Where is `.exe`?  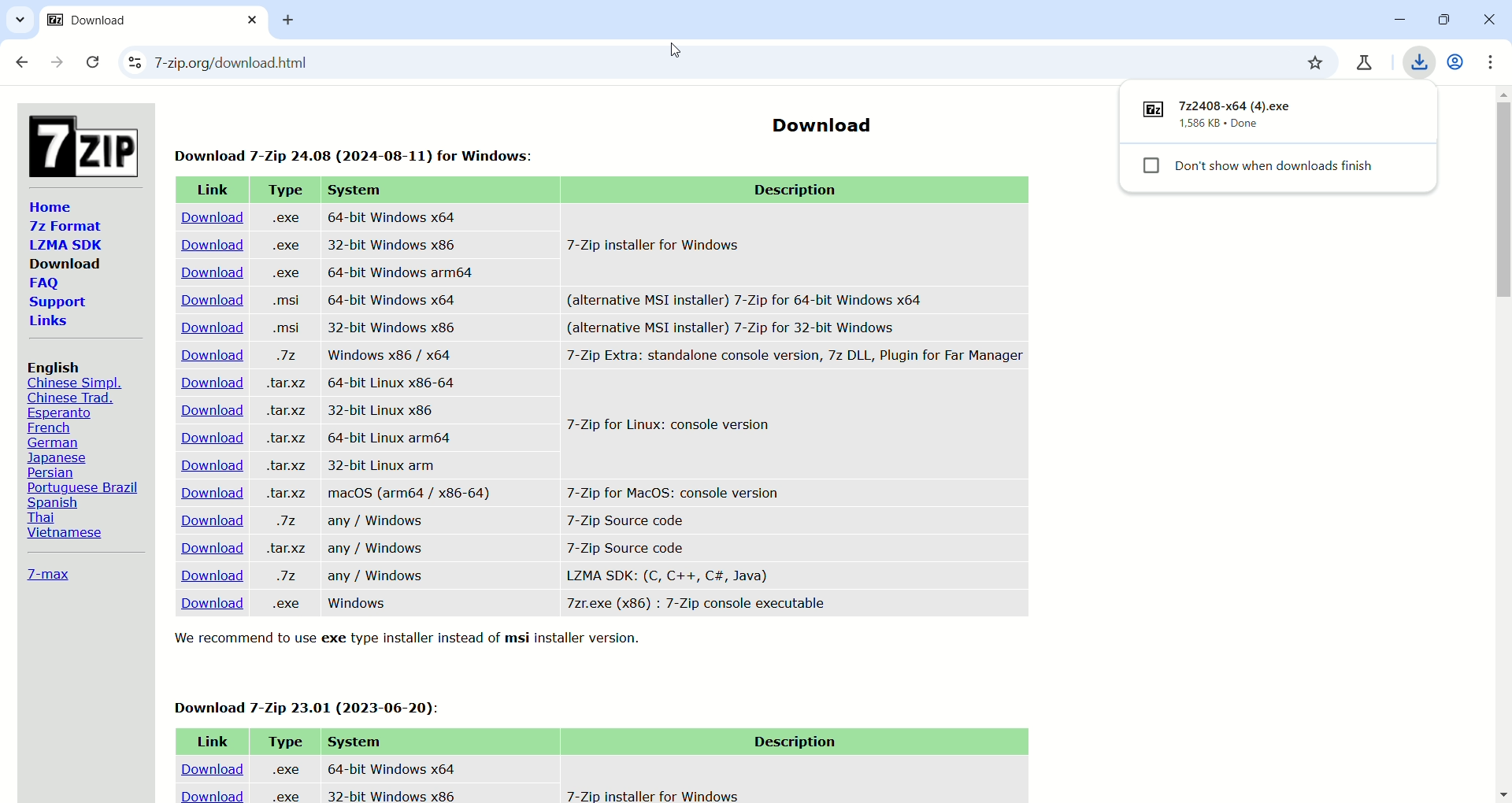
.exe is located at coordinates (284, 603).